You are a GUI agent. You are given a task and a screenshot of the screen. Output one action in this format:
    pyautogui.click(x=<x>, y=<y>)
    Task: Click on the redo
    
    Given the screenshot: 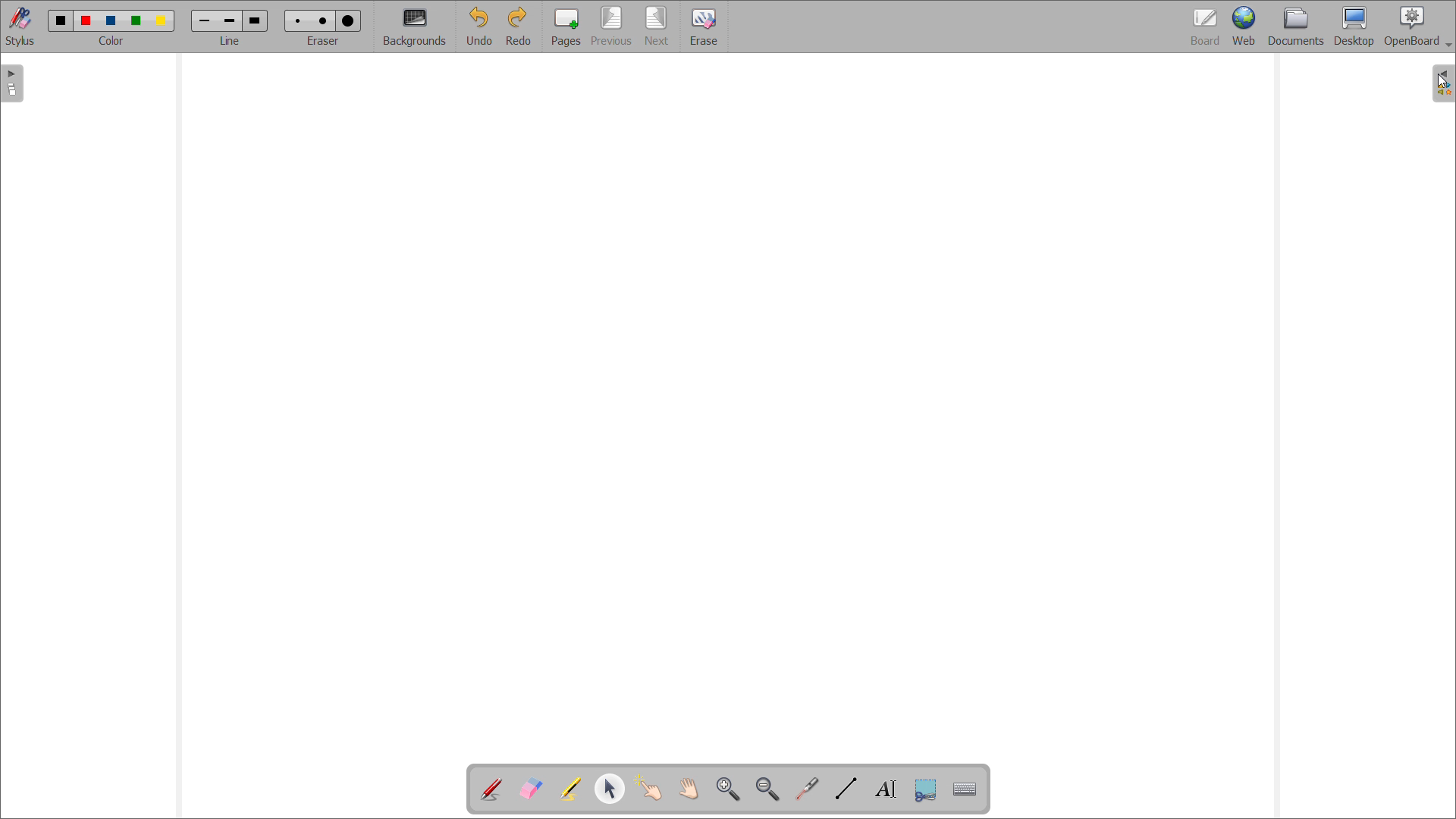 What is the action you would take?
    pyautogui.click(x=518, y=27)
    